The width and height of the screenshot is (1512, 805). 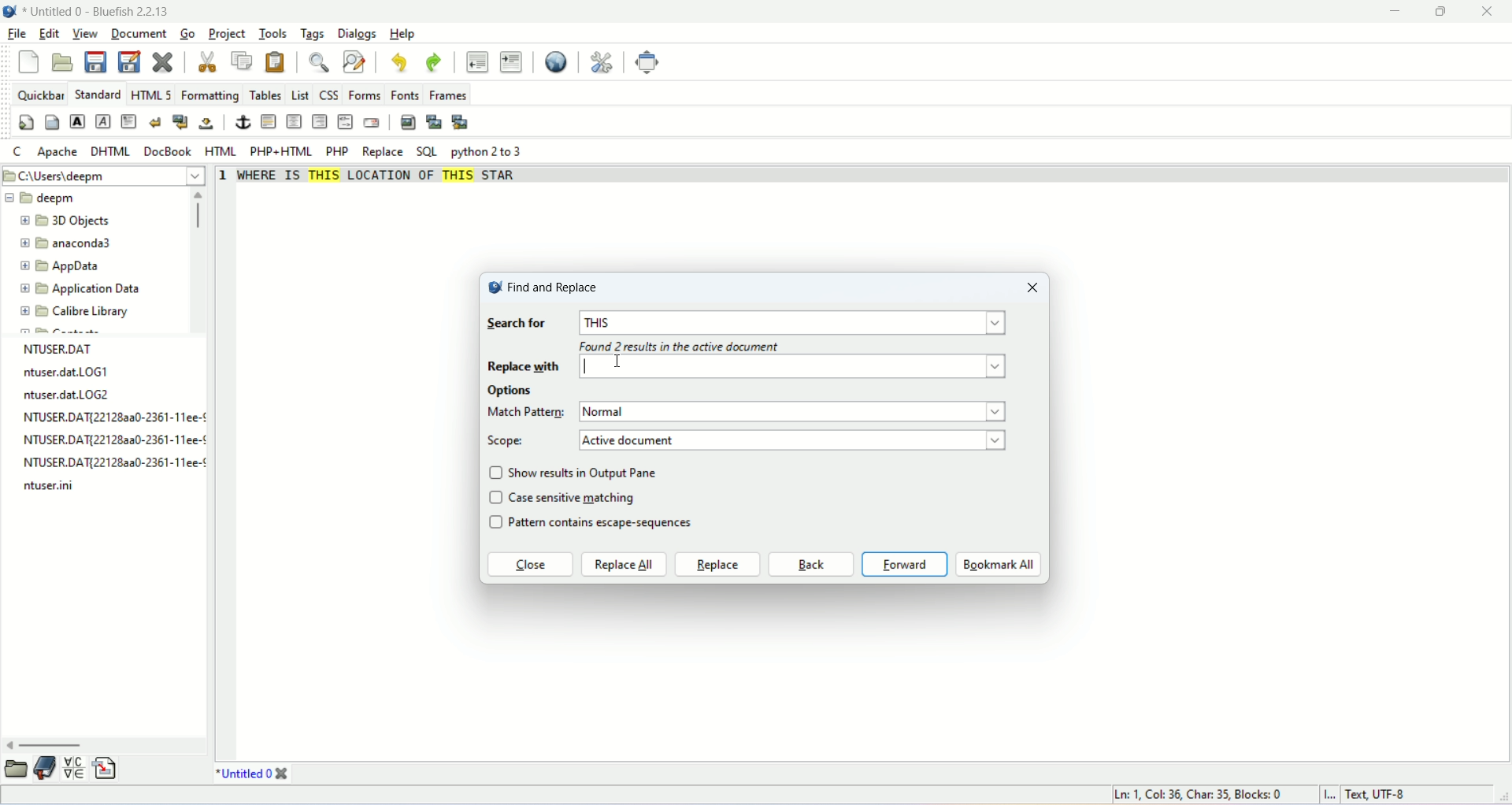 What do you see at coordinates (435, 124) in the screenshot?
I see `insert thumbnail` at bounding box center [435, 124].